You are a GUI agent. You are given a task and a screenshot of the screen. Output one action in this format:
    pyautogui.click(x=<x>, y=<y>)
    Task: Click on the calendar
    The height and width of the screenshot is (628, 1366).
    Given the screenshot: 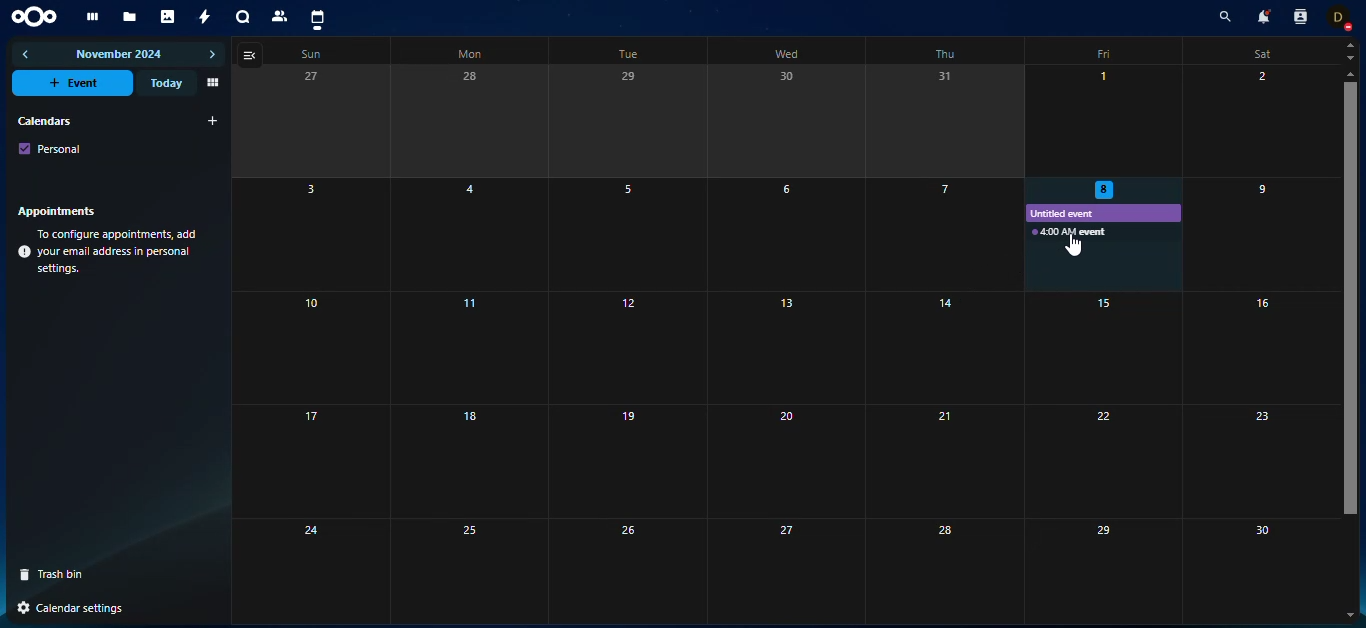 What is the action you would take?
    pyautogui.click(x=317, y=19)
    